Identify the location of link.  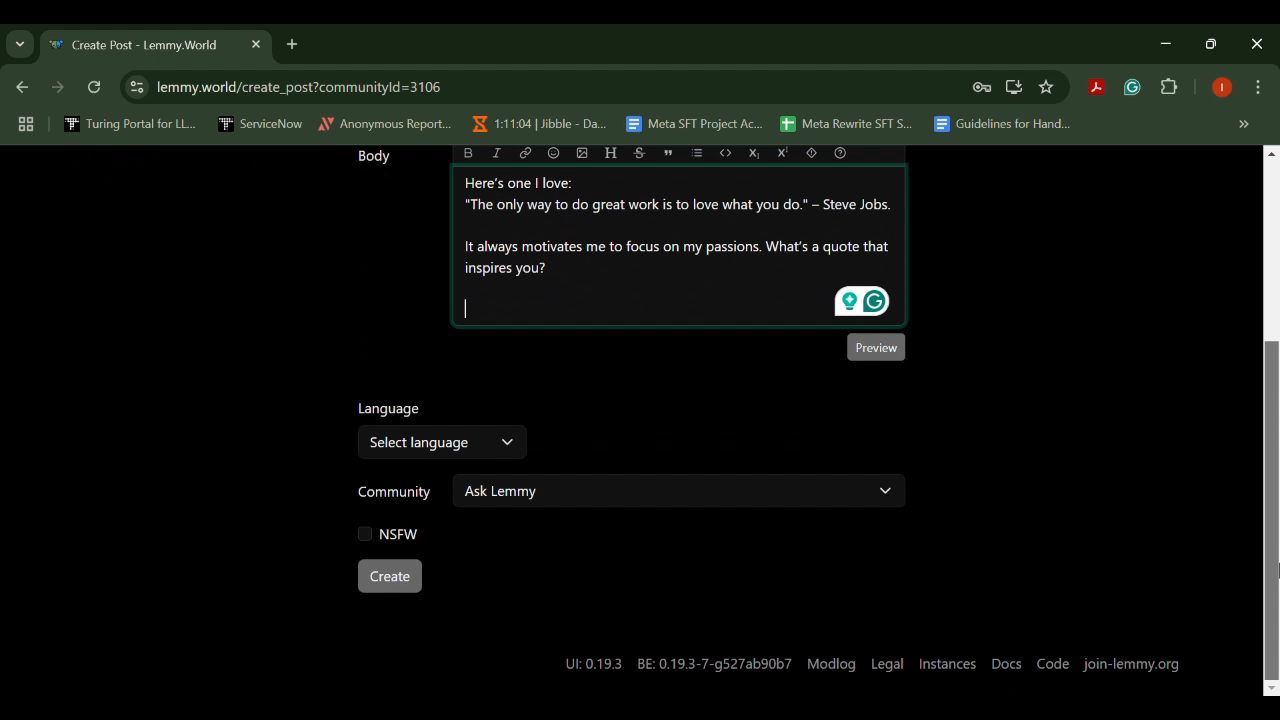
(525, 153).